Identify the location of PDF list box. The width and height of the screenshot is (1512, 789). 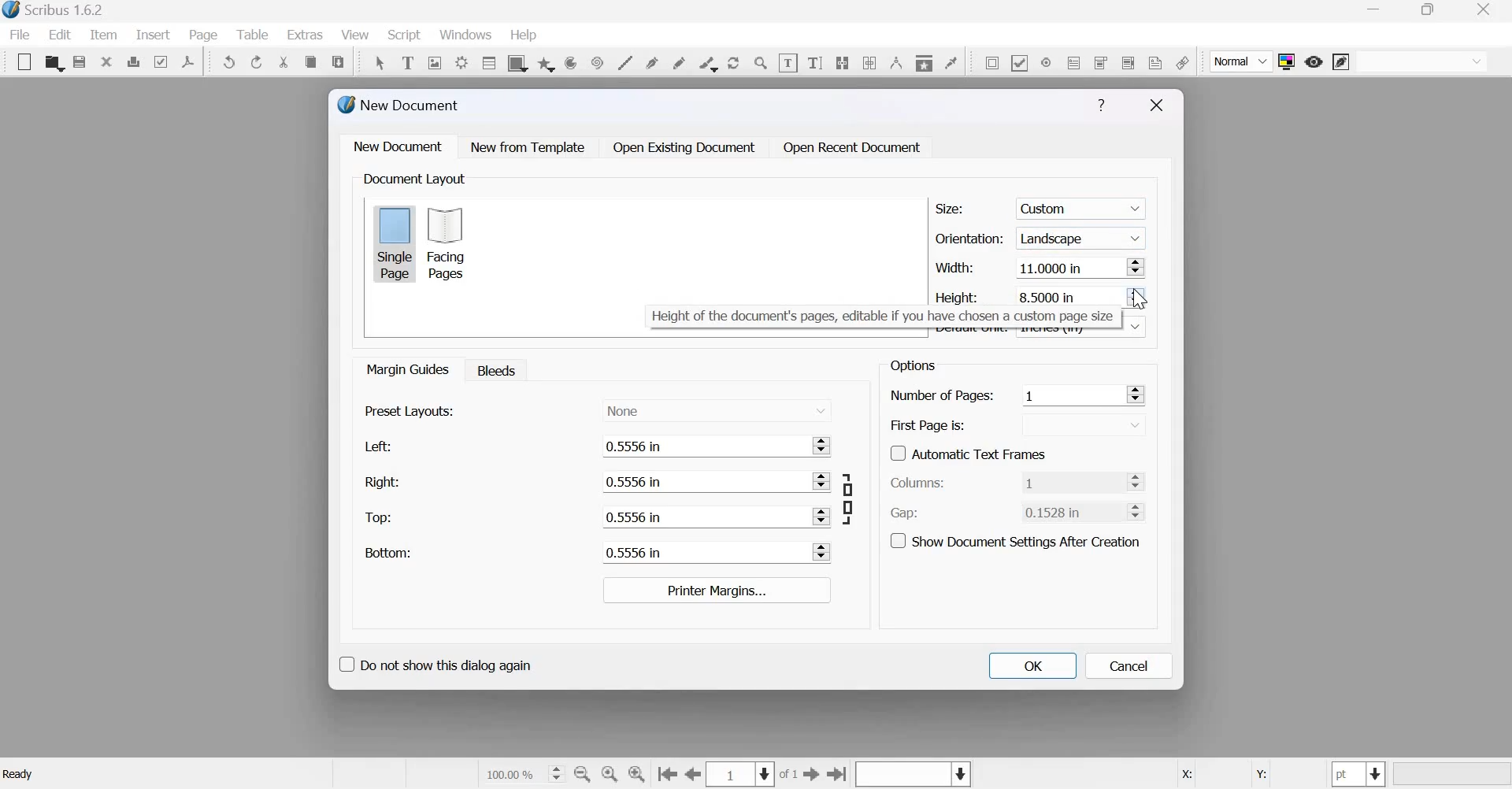
(1127, 61).